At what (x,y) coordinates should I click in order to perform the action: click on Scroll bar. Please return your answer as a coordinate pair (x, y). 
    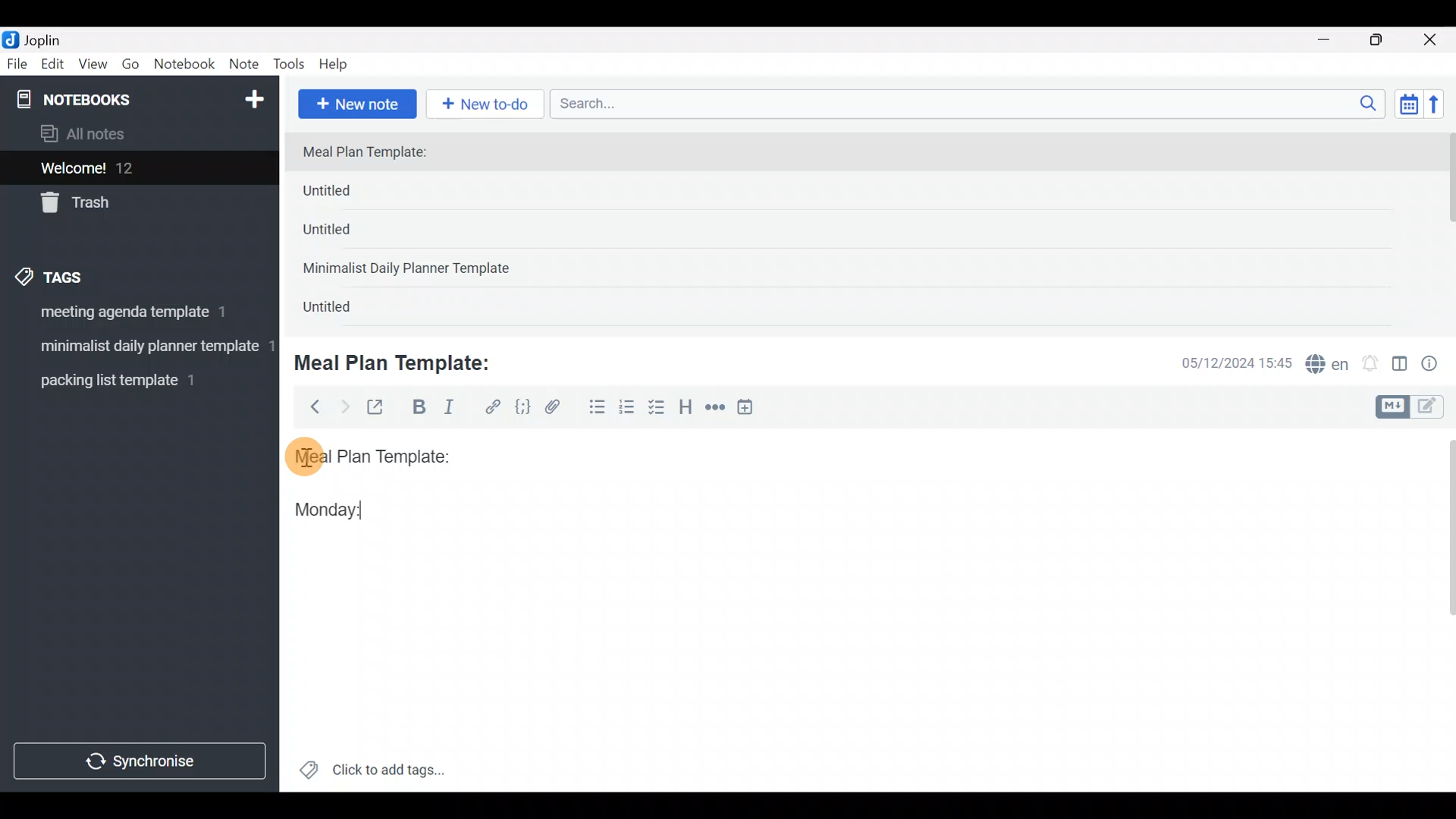
    Looking at the image, I should click on (1447, 229).